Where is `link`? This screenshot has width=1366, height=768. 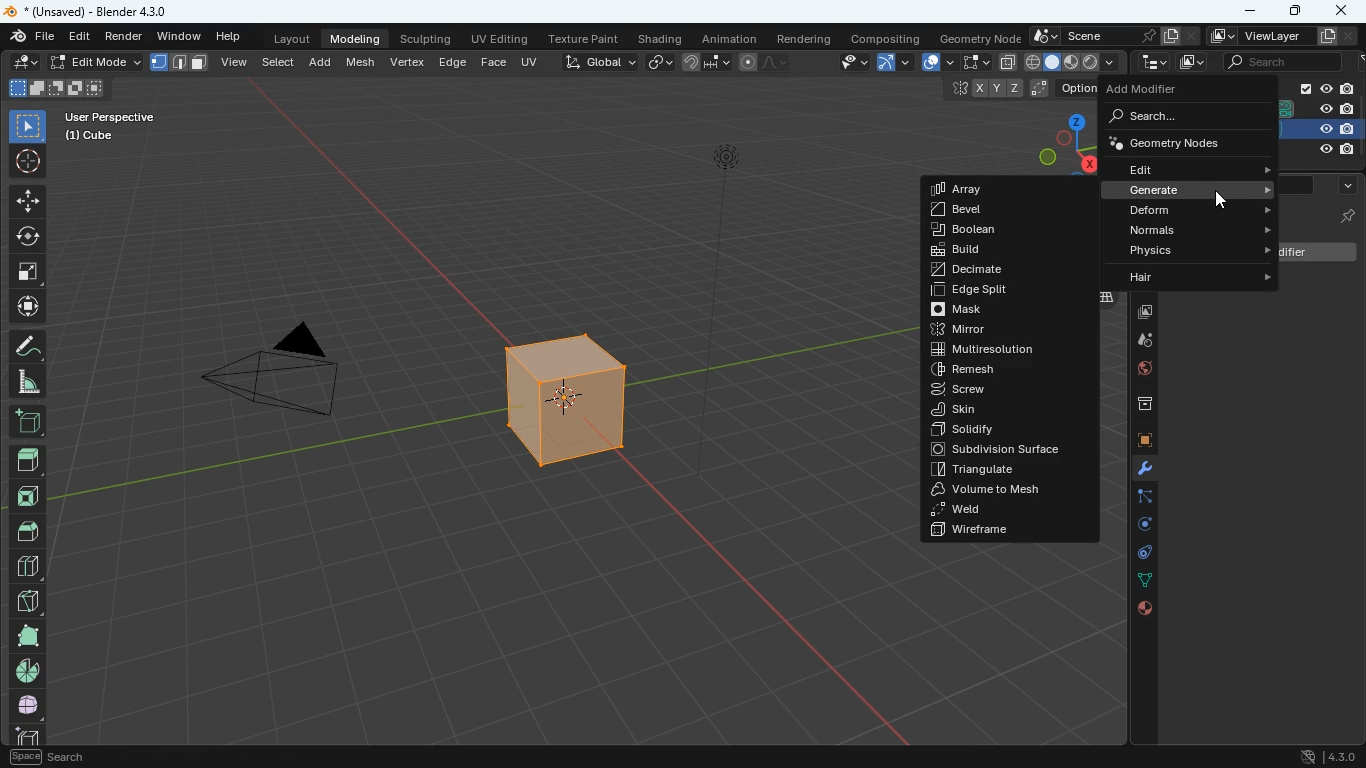 link is located at coordinates (661, 61).